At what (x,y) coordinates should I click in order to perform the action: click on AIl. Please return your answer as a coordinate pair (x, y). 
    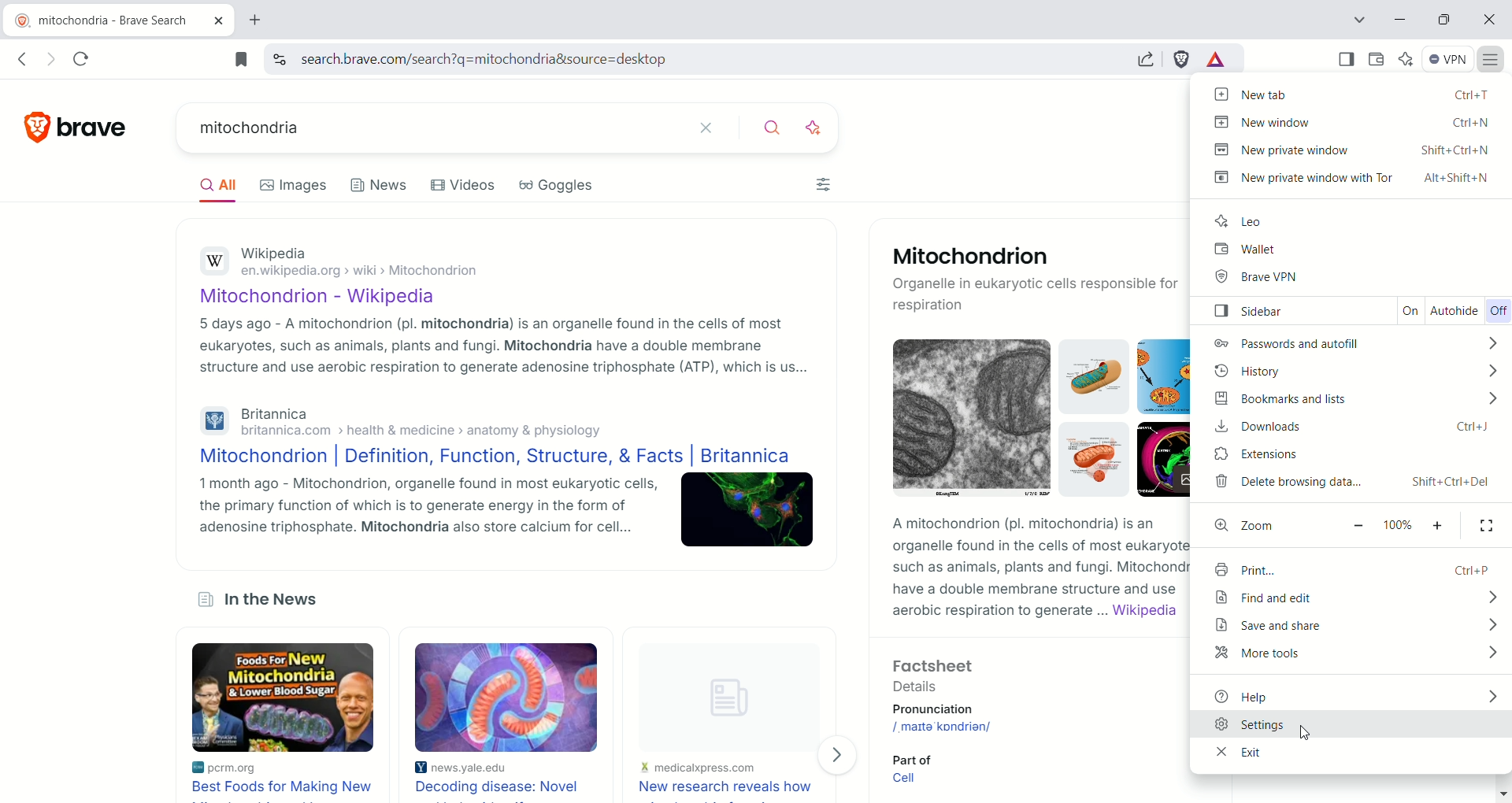
    Looking at the image, I should click on (208, 187).